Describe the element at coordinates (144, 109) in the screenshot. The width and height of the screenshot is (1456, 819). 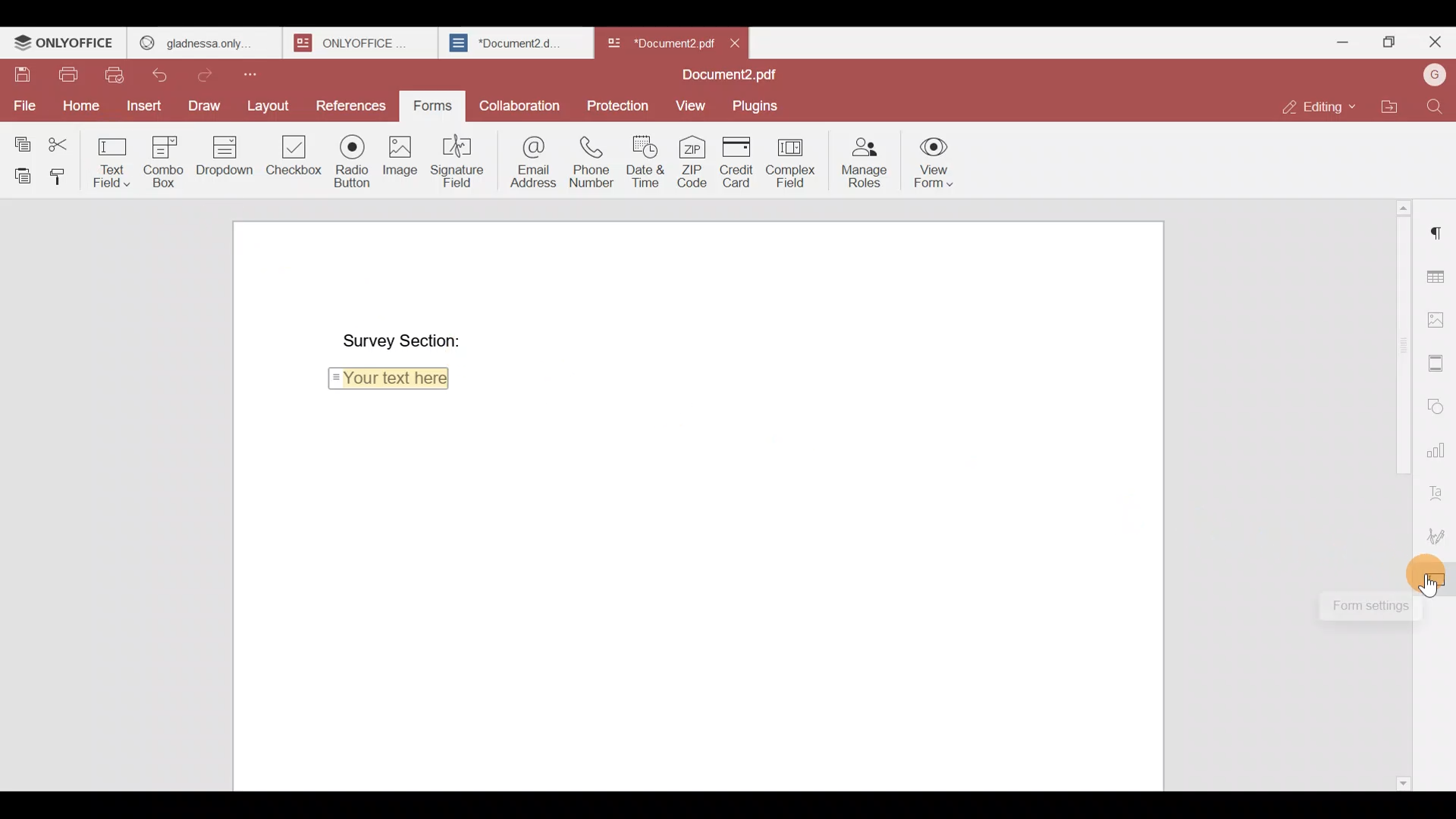
I see `Insert` at that location.